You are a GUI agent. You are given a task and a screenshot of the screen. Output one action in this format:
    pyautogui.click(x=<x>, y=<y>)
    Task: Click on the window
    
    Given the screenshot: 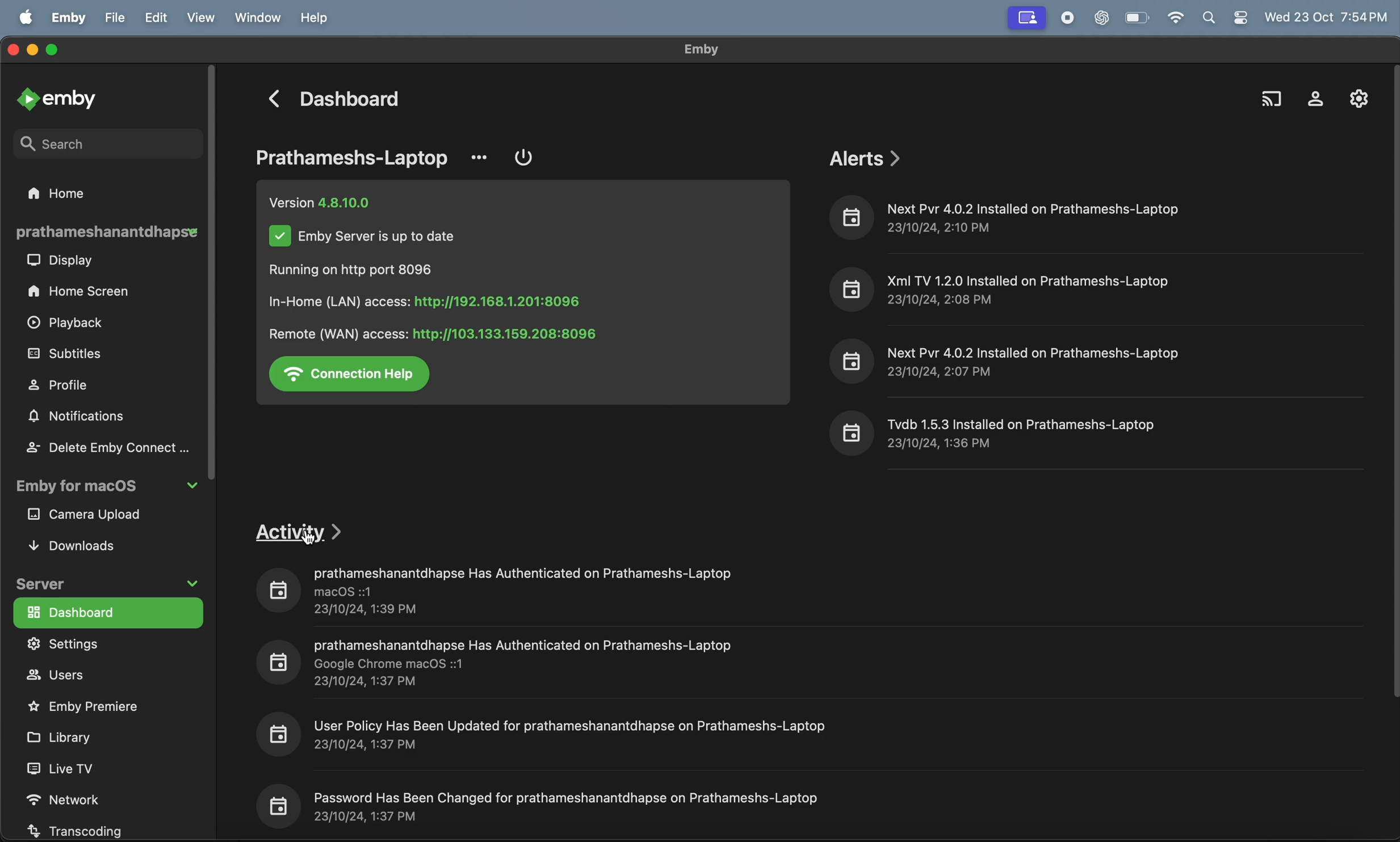 What is the action you would take?
    pyautogui.click(x=258, y=18)
    